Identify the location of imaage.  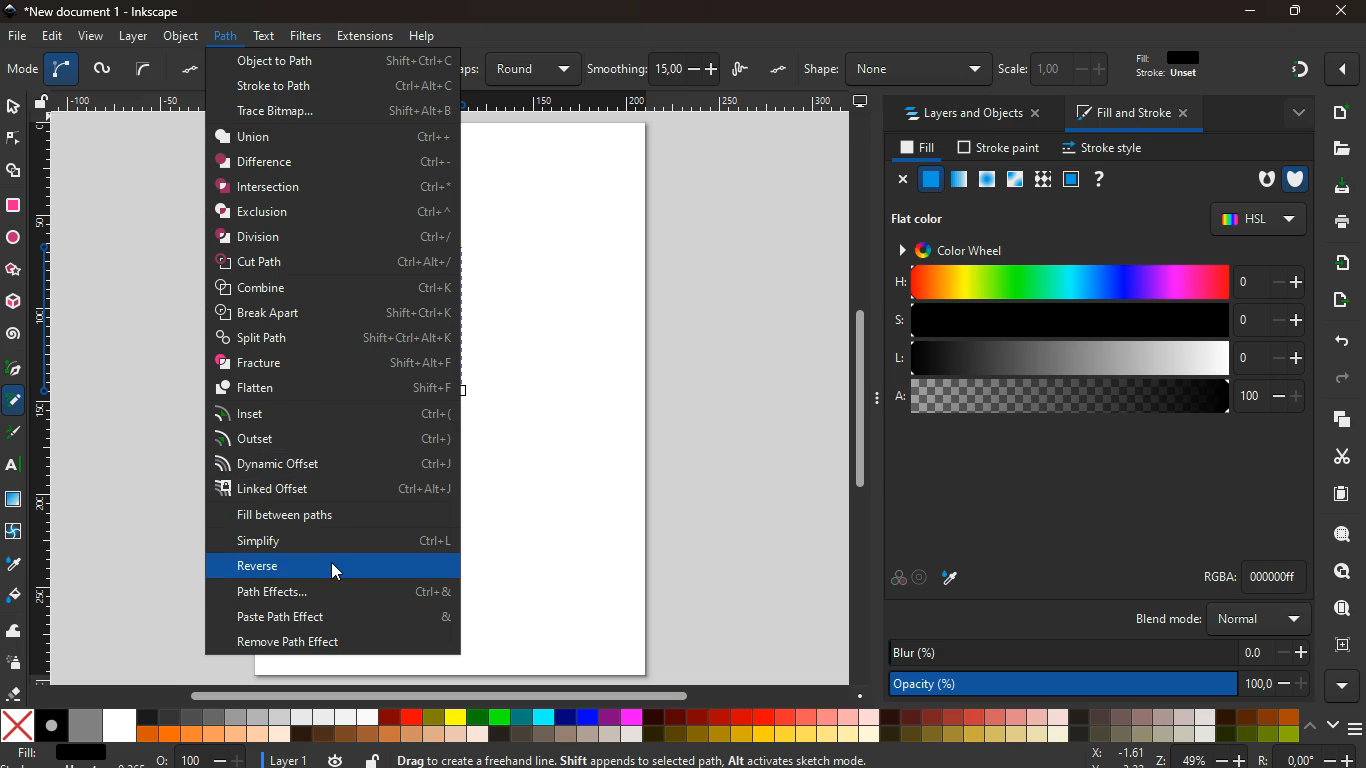
(15, 501).